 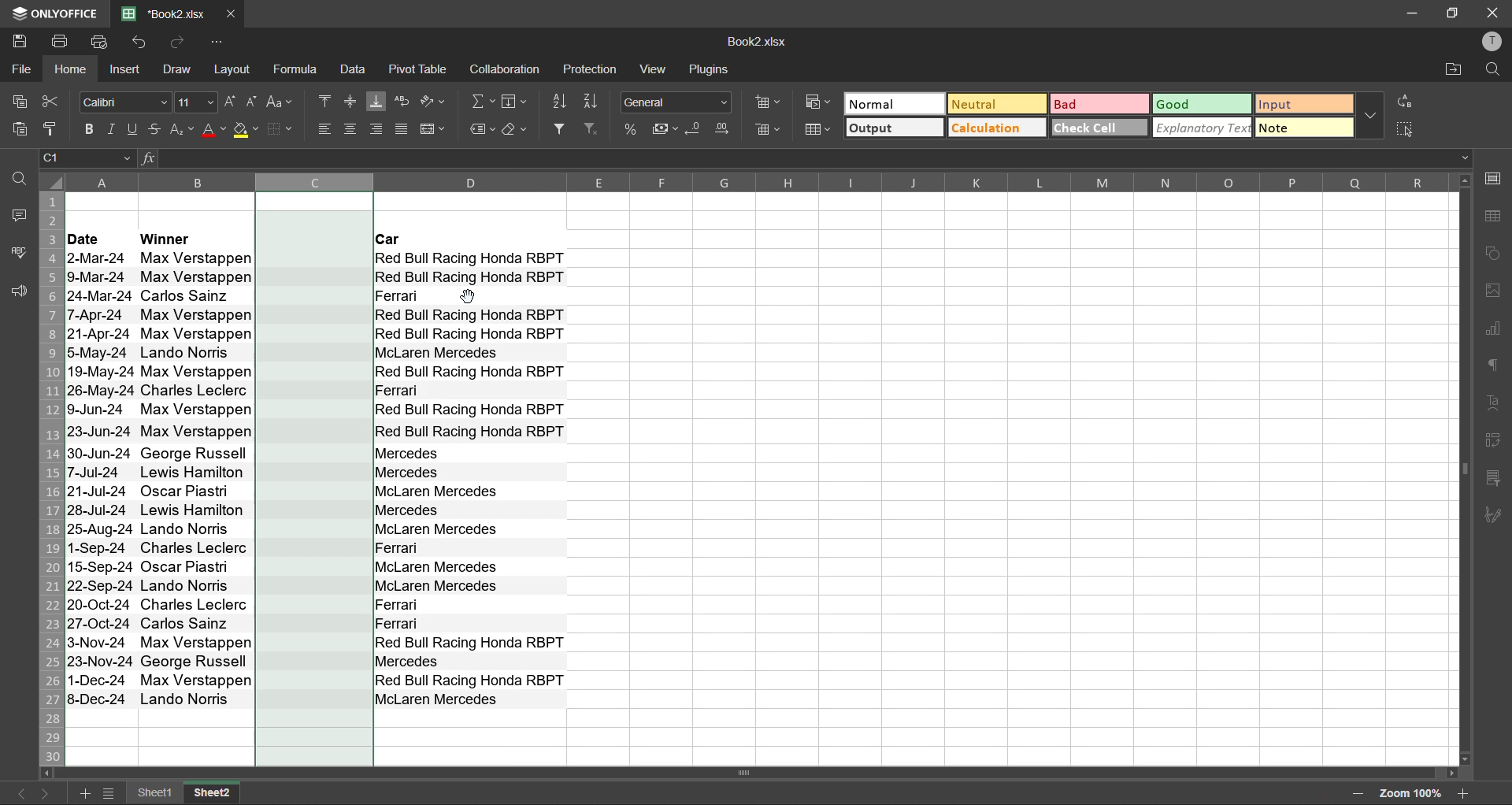 I want to click on plugins, so click(x=709, y=69).